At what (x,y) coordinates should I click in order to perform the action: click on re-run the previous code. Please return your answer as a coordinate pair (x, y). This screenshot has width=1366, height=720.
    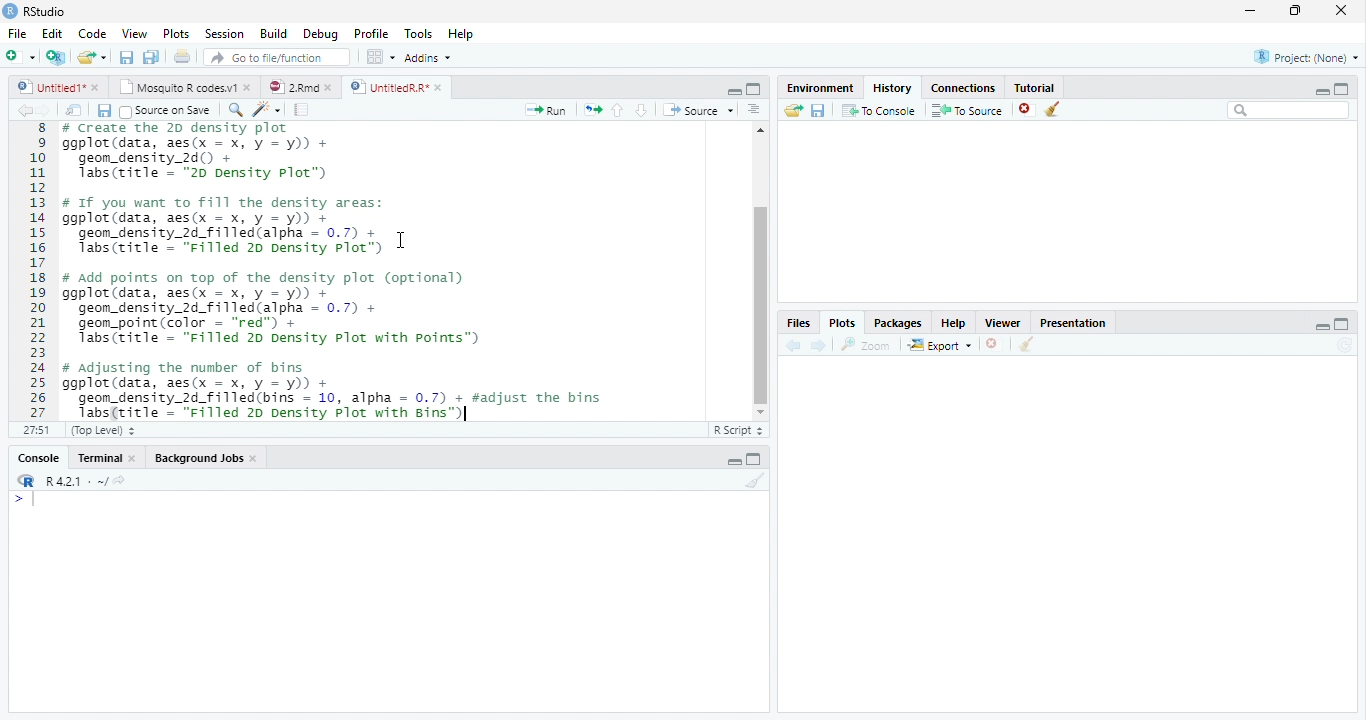
    Looking at the image, I should click on (592, 109).